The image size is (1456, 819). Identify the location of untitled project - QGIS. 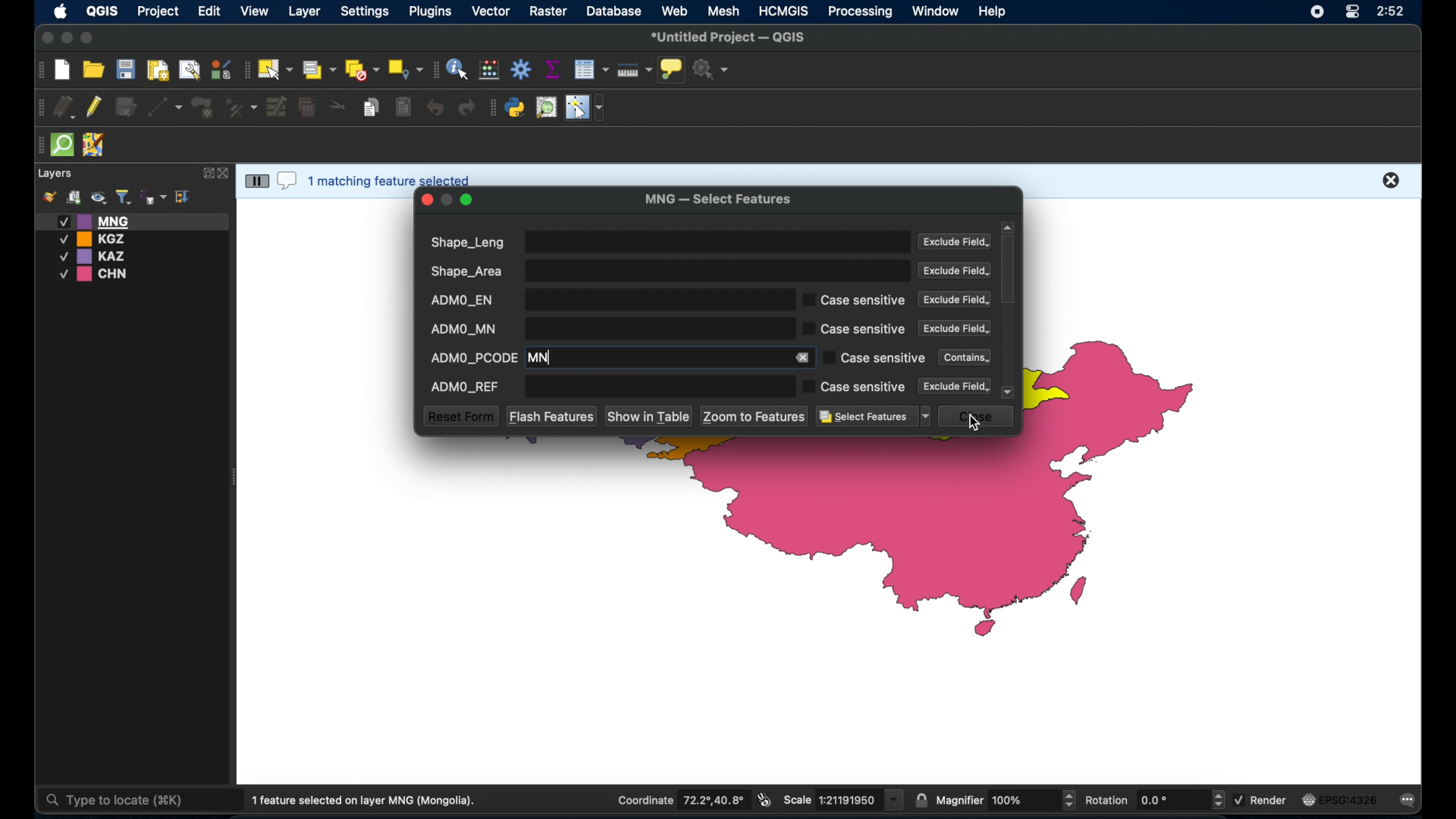
(730, 37).